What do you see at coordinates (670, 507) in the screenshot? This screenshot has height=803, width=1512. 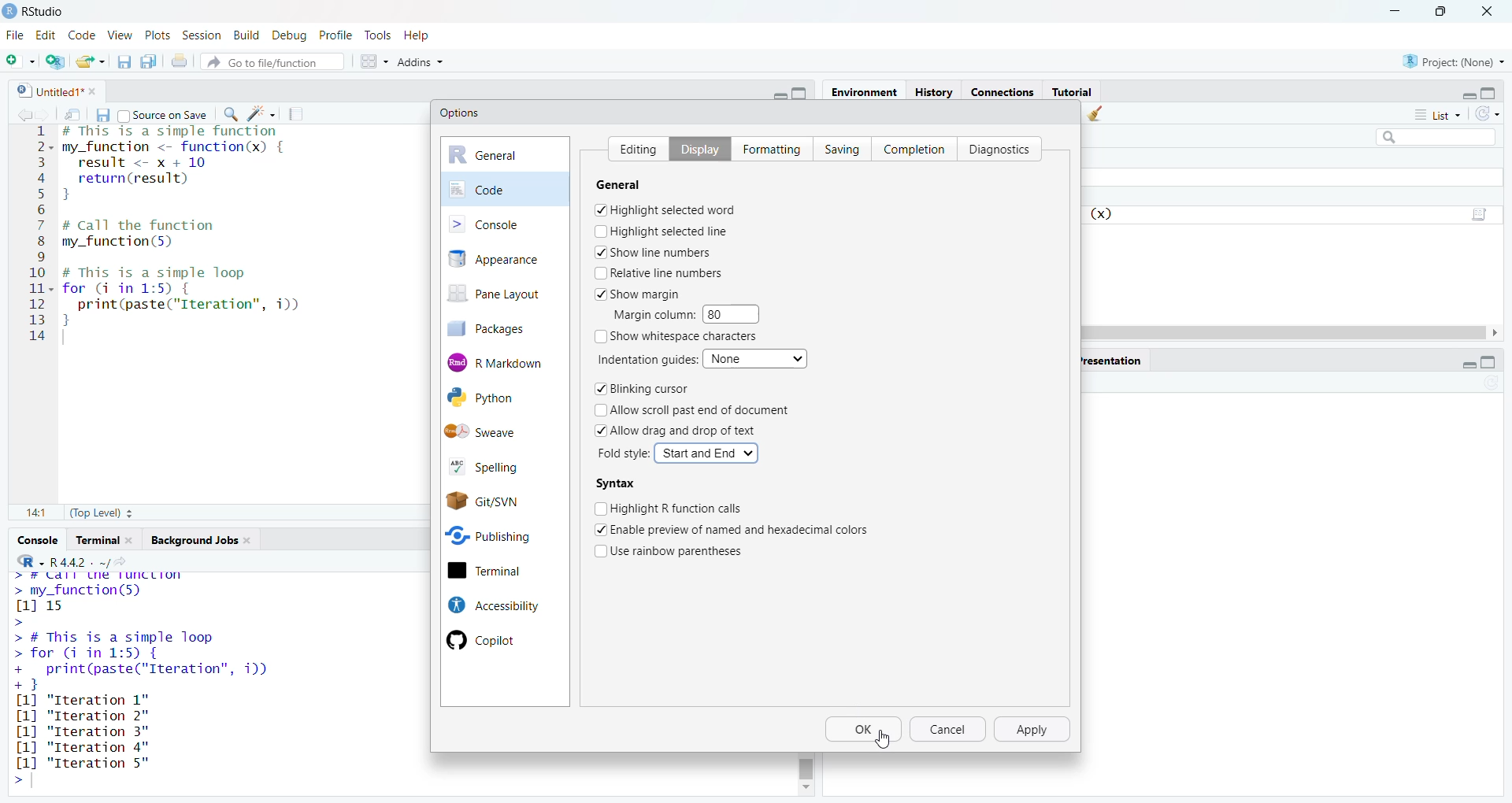 I see `Highlight R function calls` at bounding box center [670, 507].